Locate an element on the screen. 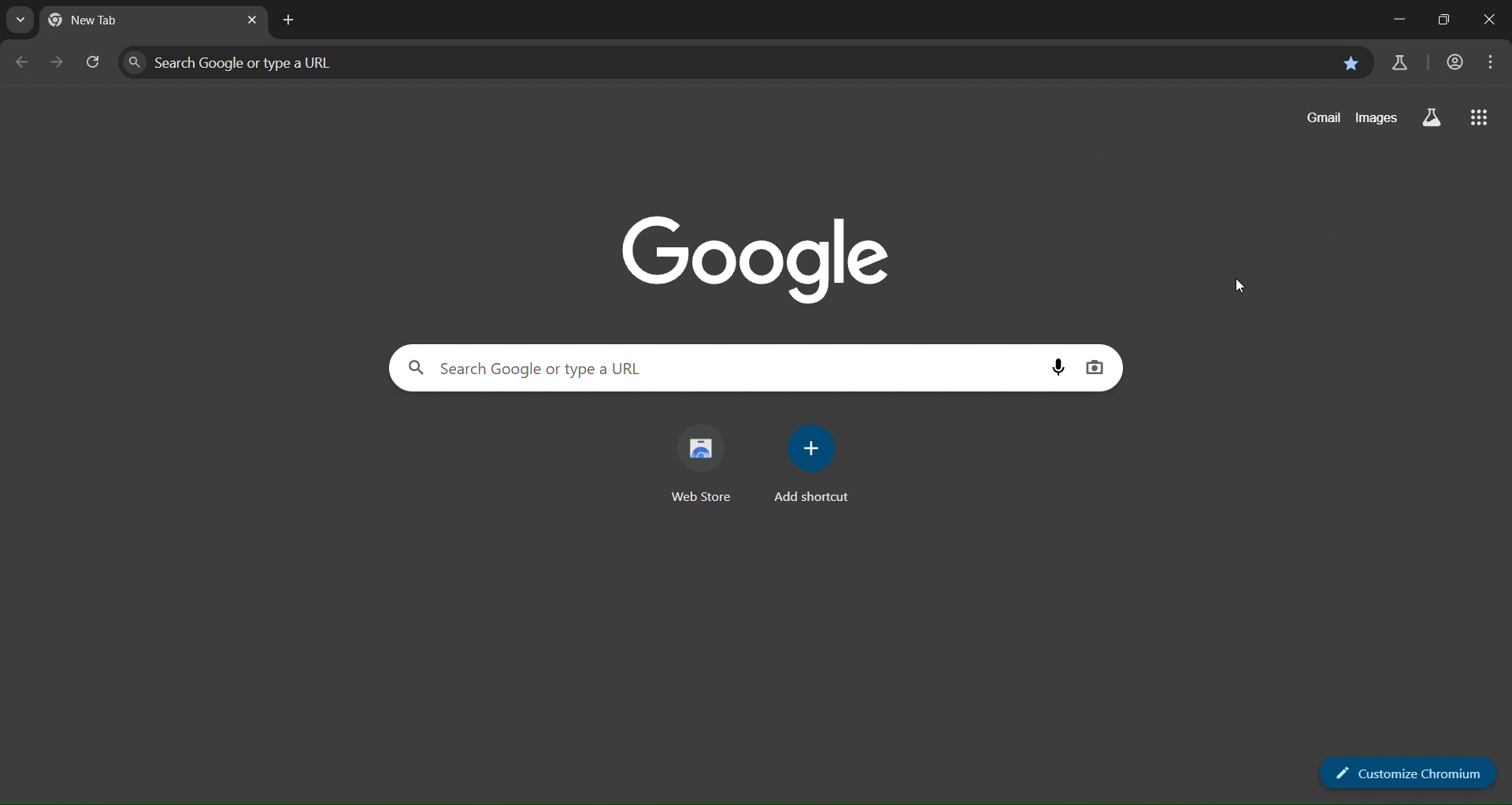  seaarch tabs is located at coordinates (21, 22).